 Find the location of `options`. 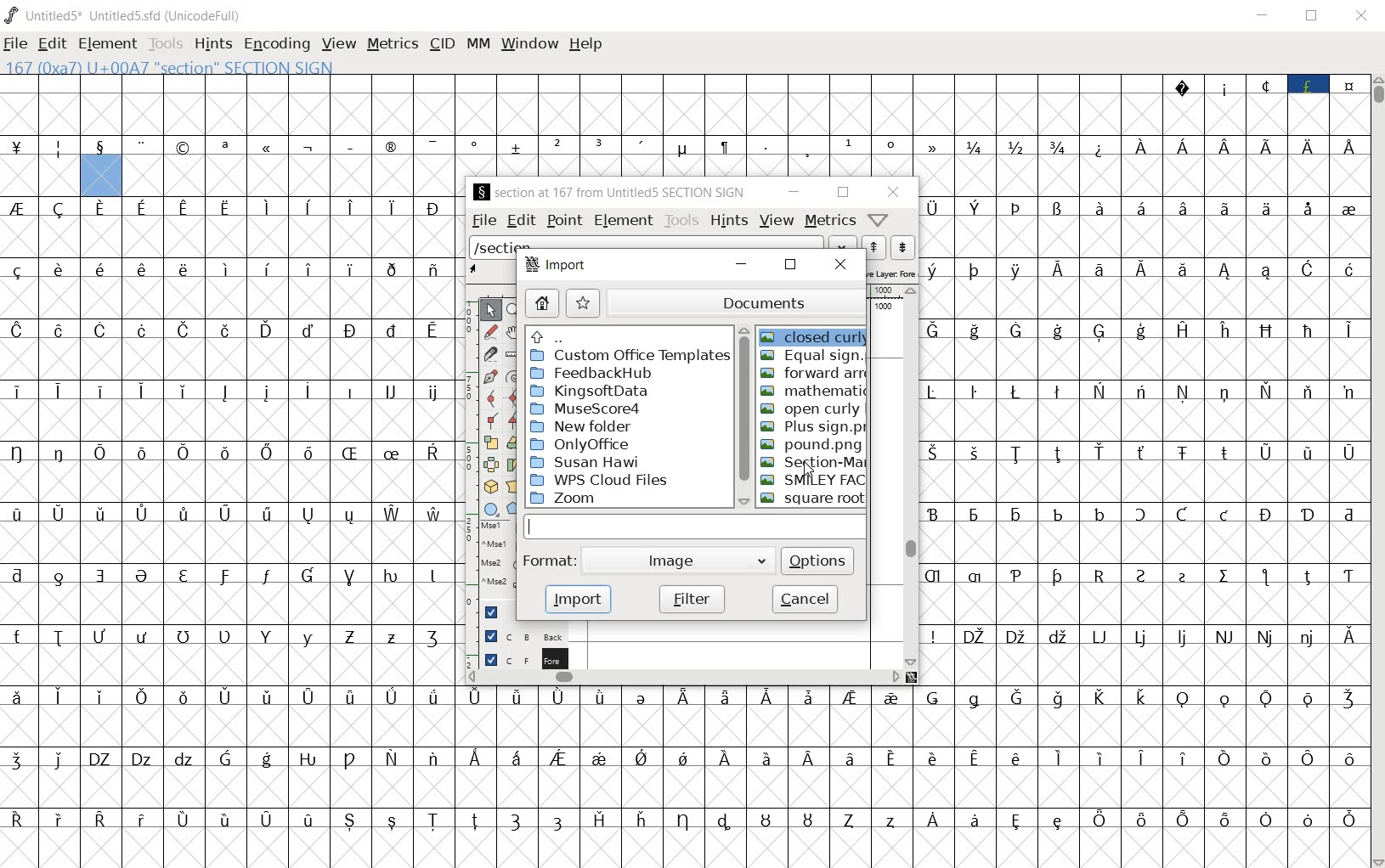

options is located at coordinates (819, 560).